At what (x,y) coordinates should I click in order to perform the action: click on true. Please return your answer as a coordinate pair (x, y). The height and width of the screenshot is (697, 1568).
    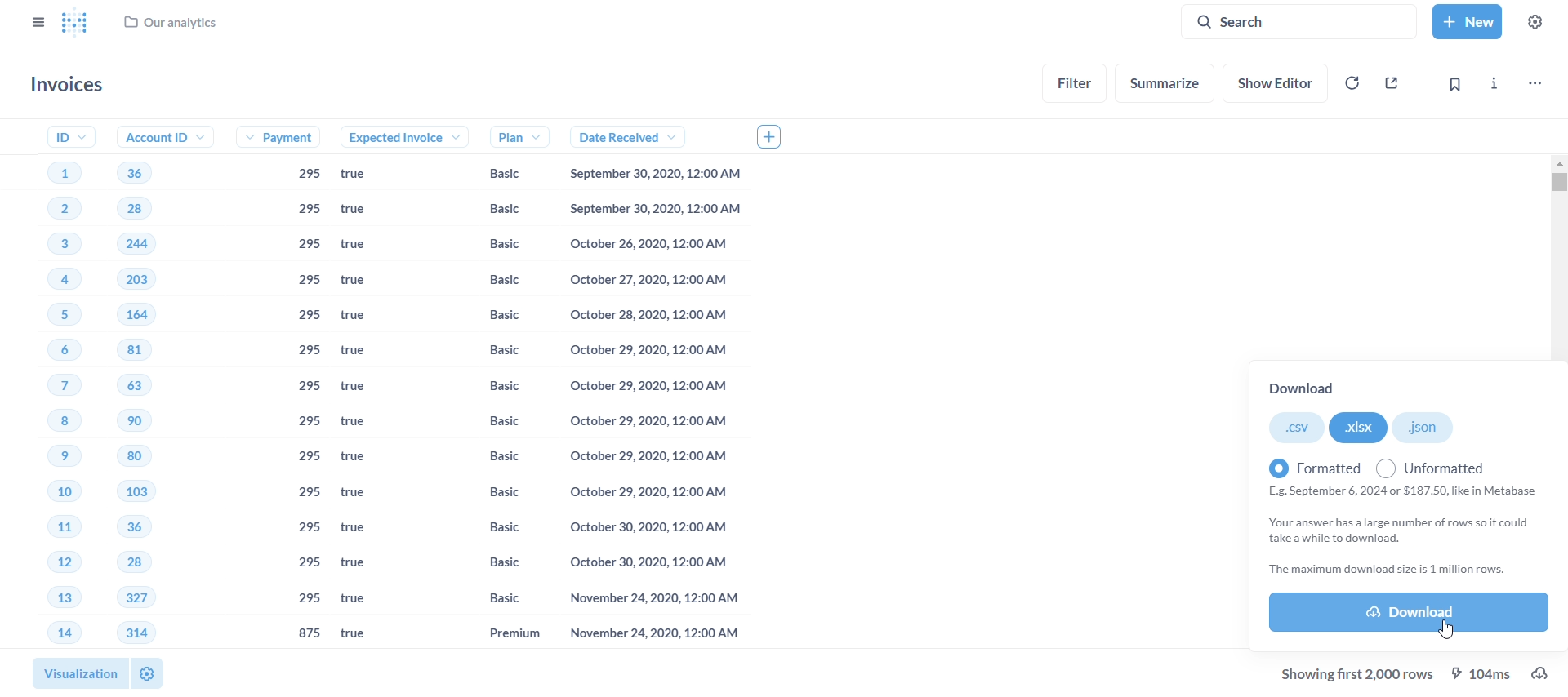
    Looking at the image, I should click on (362, 600).